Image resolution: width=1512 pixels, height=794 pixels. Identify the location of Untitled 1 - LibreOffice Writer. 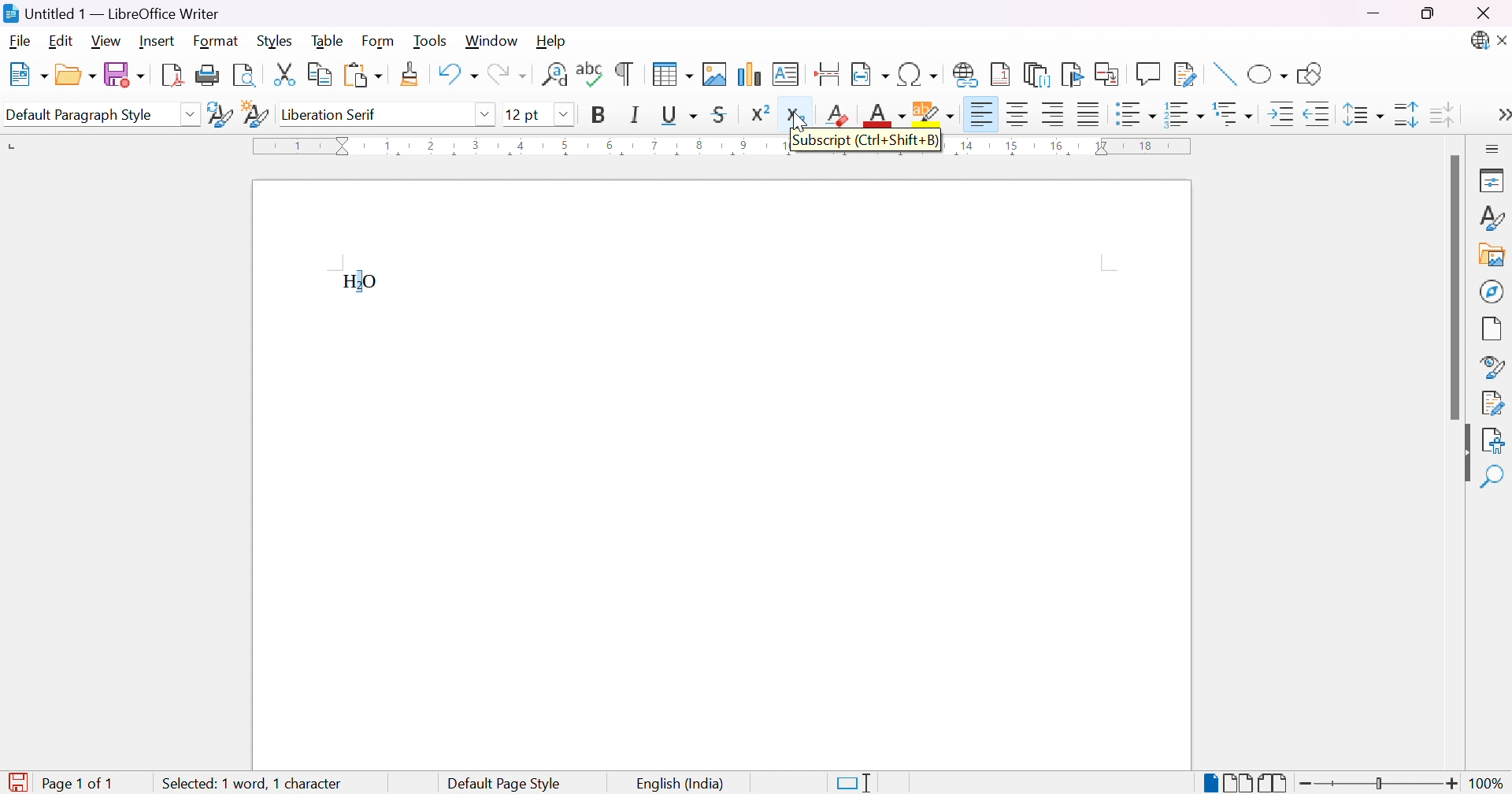
(109, 13).